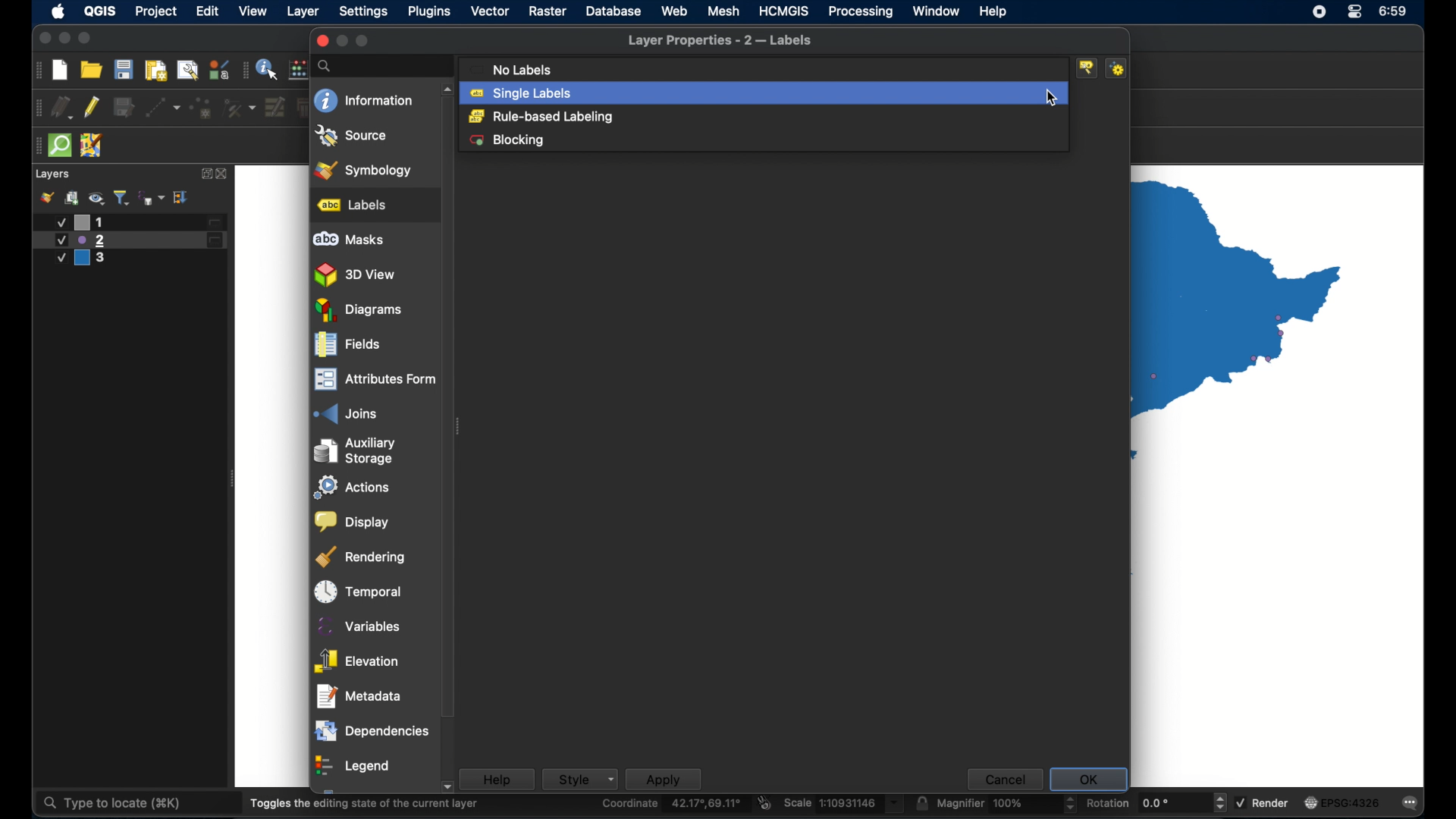 The image size is (1456, 819). I want to click on no labels, so click(510, 69).